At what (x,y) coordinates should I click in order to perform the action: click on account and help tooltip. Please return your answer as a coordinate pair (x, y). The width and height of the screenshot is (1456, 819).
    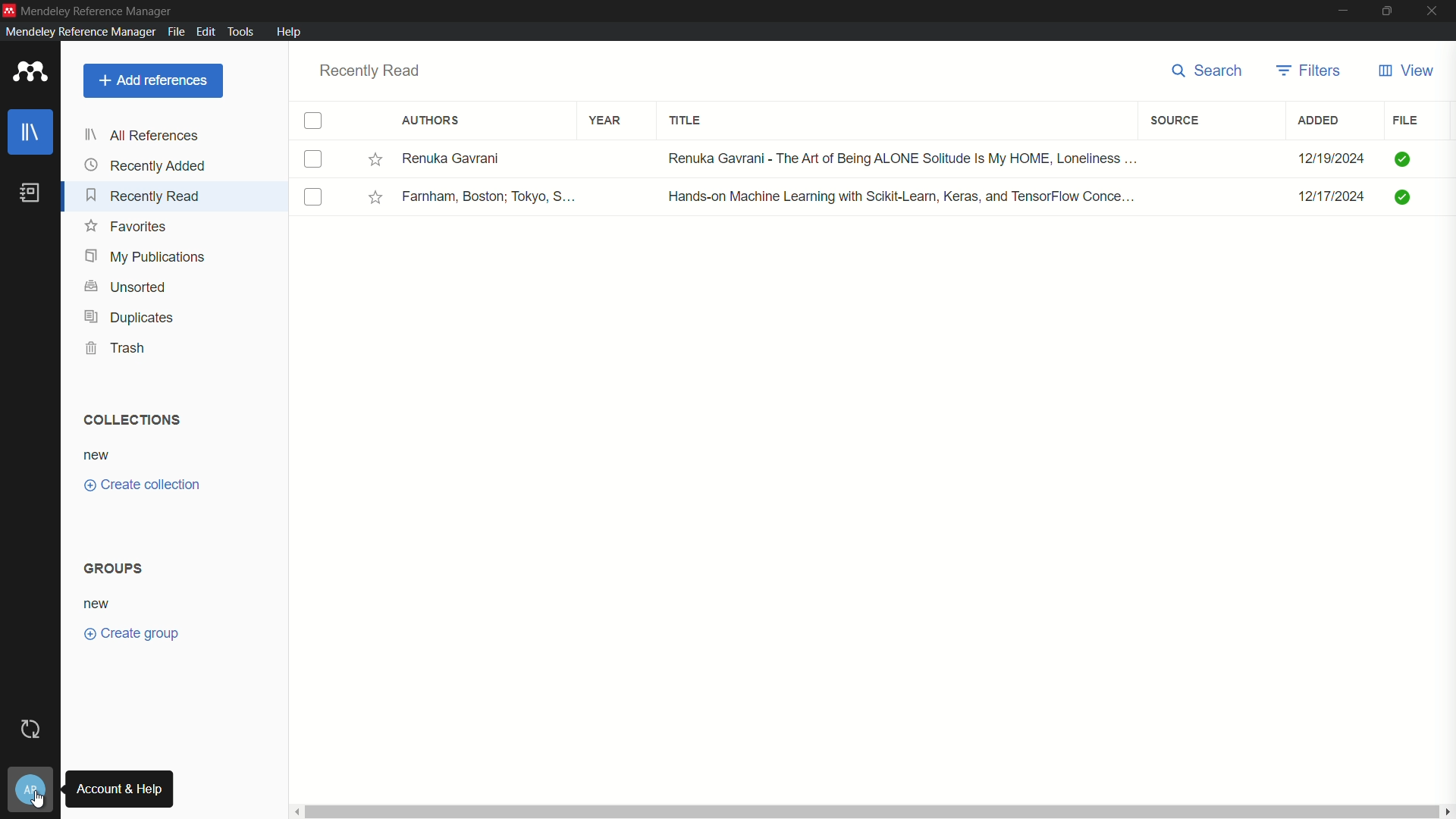
    Looking at the image, I should click on (120, 790).